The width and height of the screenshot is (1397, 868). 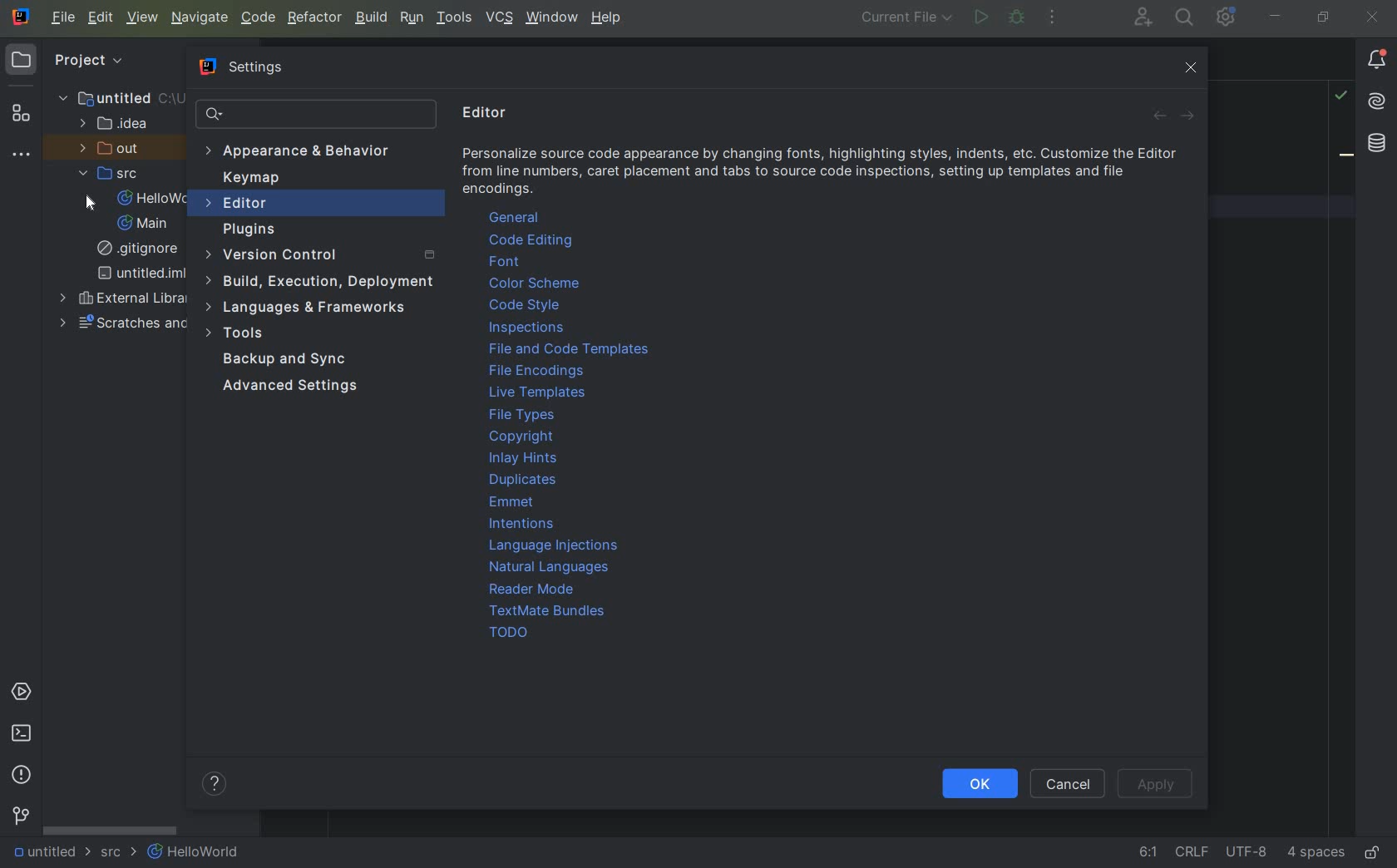 I want to click on cursor, so click(x=88, y=206).